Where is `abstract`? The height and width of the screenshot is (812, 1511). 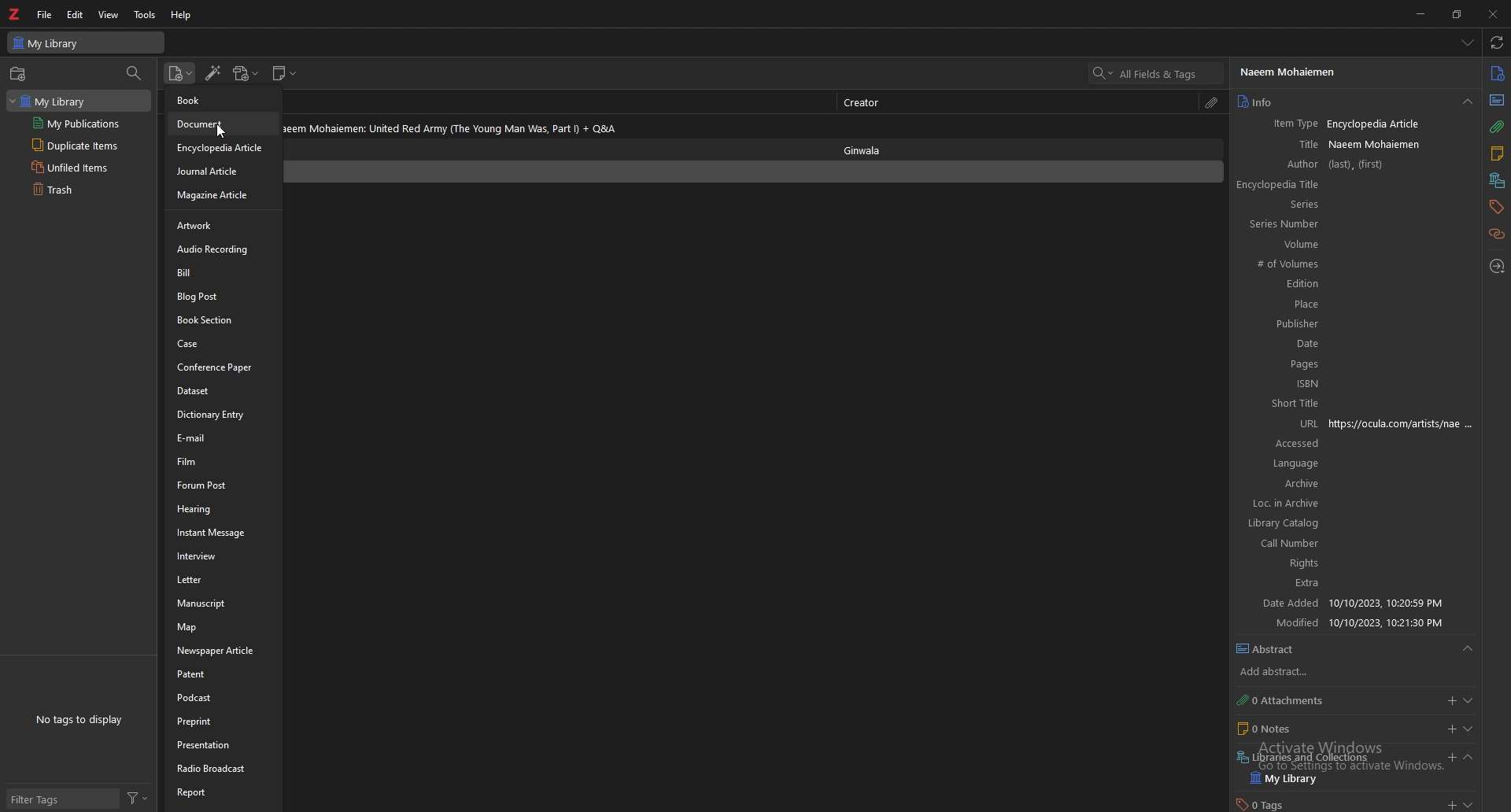 abstract is located at coordinates (1357, 649).